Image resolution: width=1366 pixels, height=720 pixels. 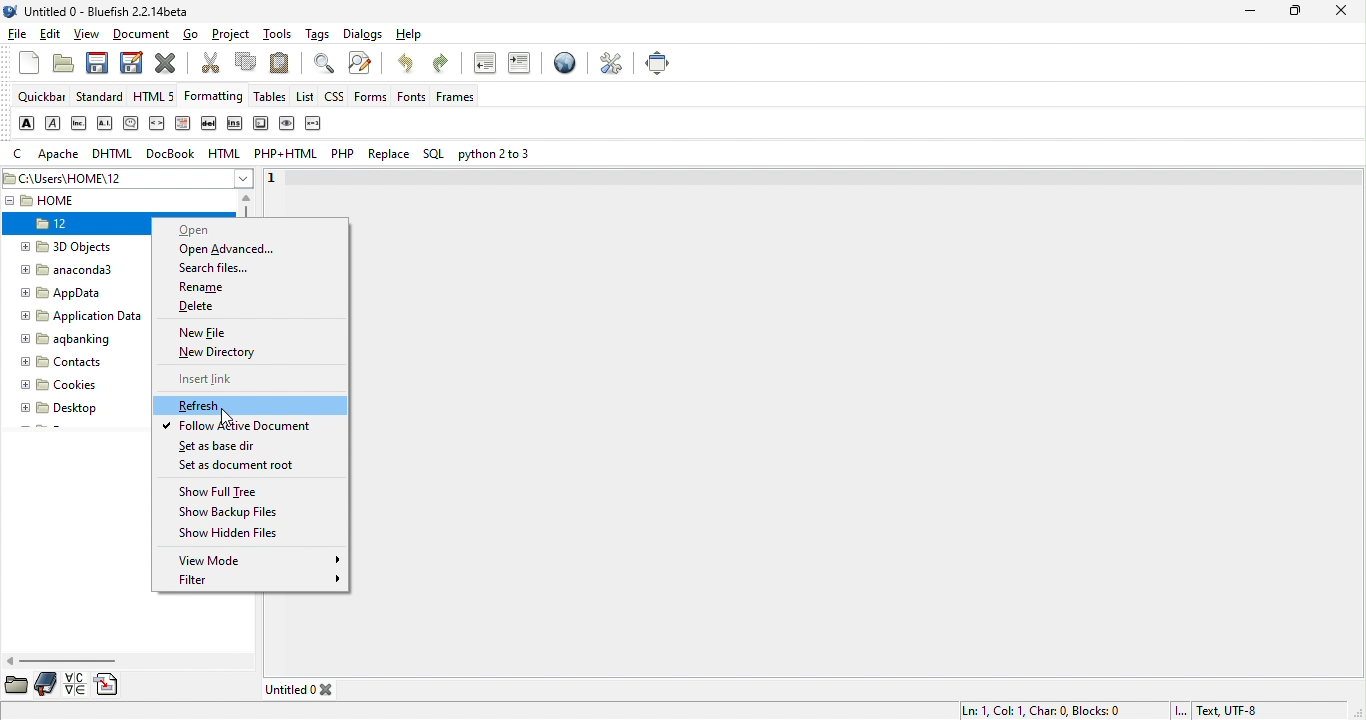 What do you see at coordinates (254, 560) in the screenshot?
I see `view mode` at bounding box center [254, 560].